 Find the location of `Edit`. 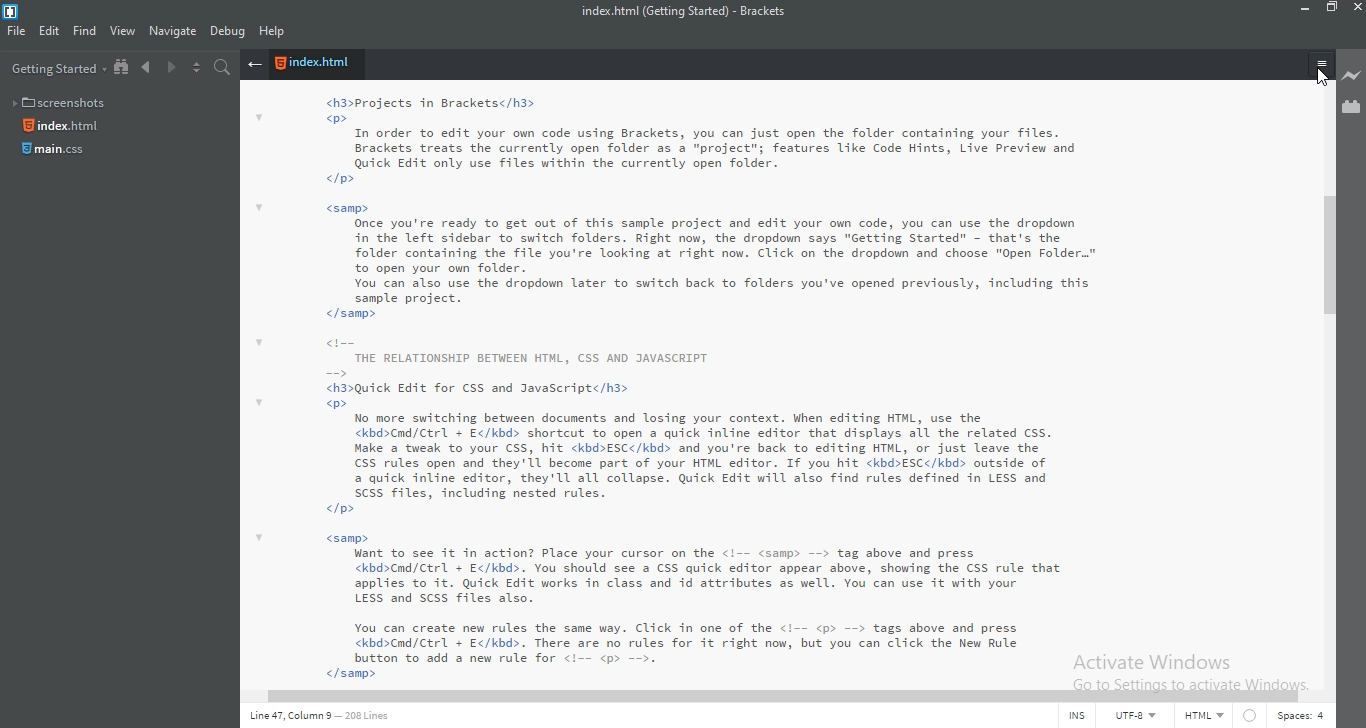

Edit is located at coordinates (49, 33).